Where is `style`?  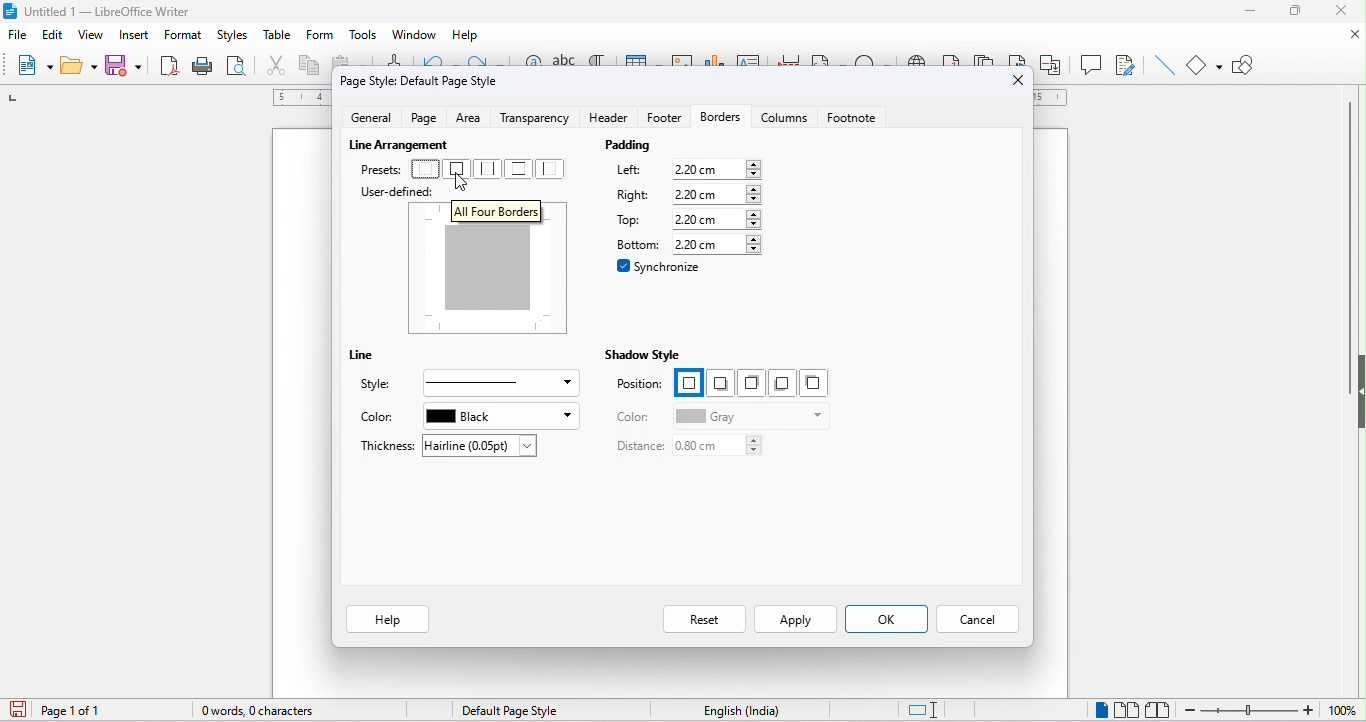 style is located at coordinates (380, 384).